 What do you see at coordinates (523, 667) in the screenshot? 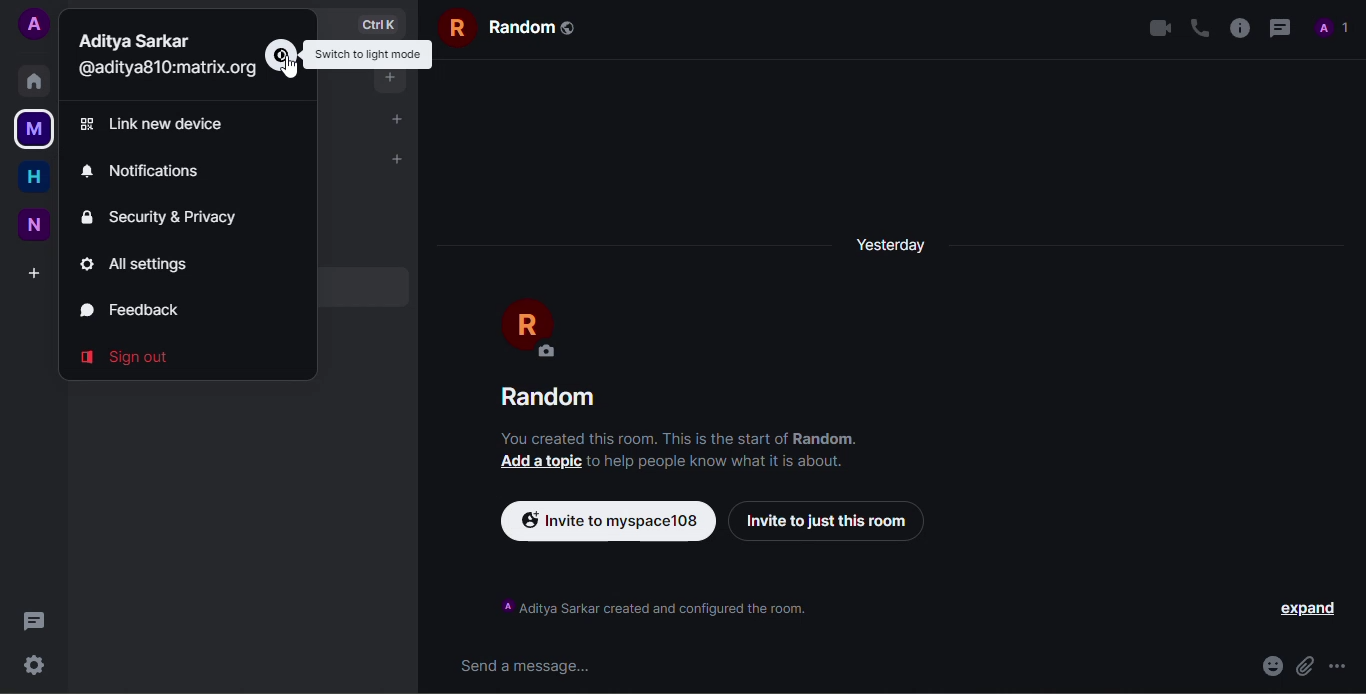
I see `send message` at bounding box center [523, 667].